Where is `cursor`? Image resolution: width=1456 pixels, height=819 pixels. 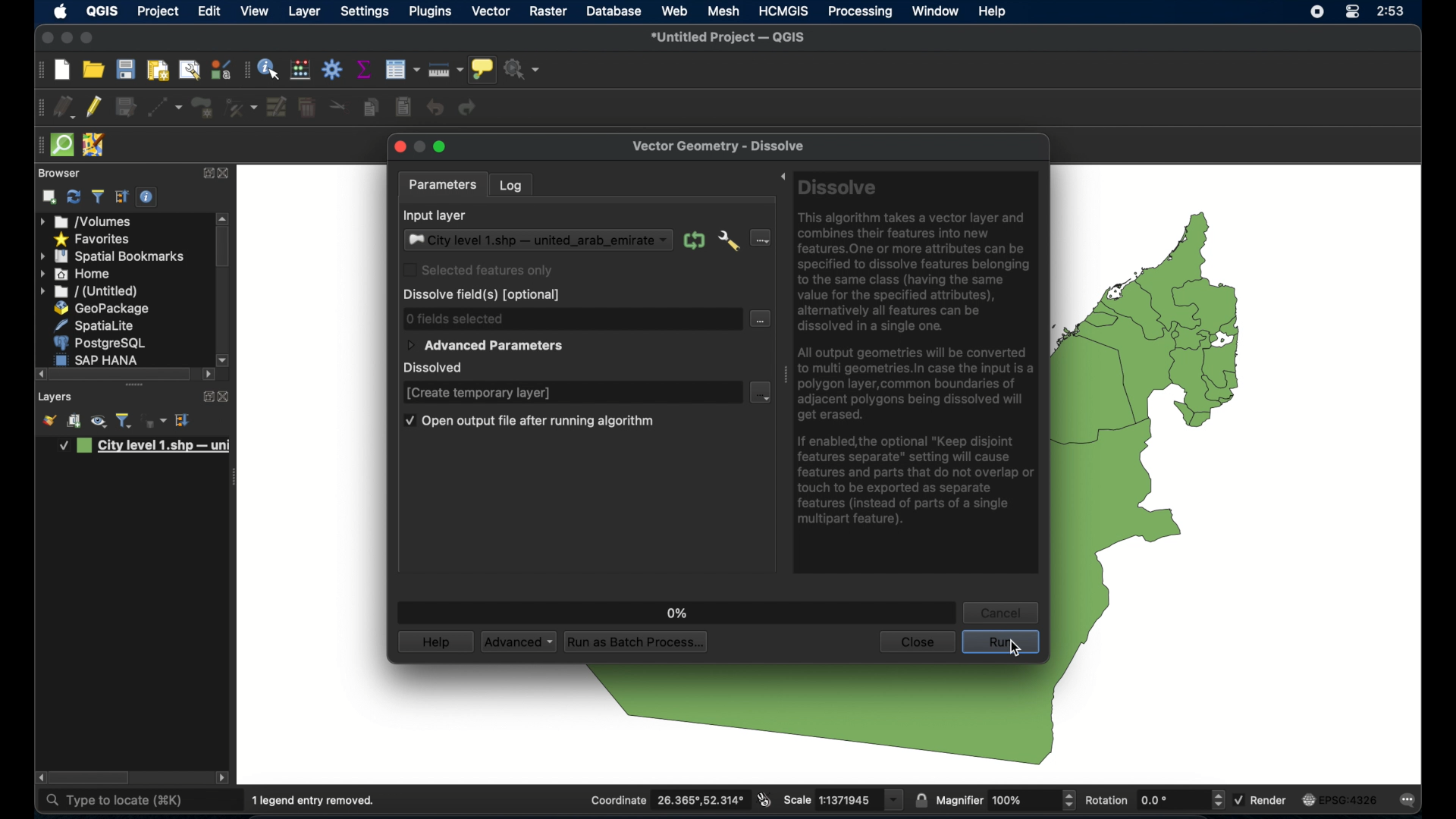 cursor is located at coordinates (1020, 653).